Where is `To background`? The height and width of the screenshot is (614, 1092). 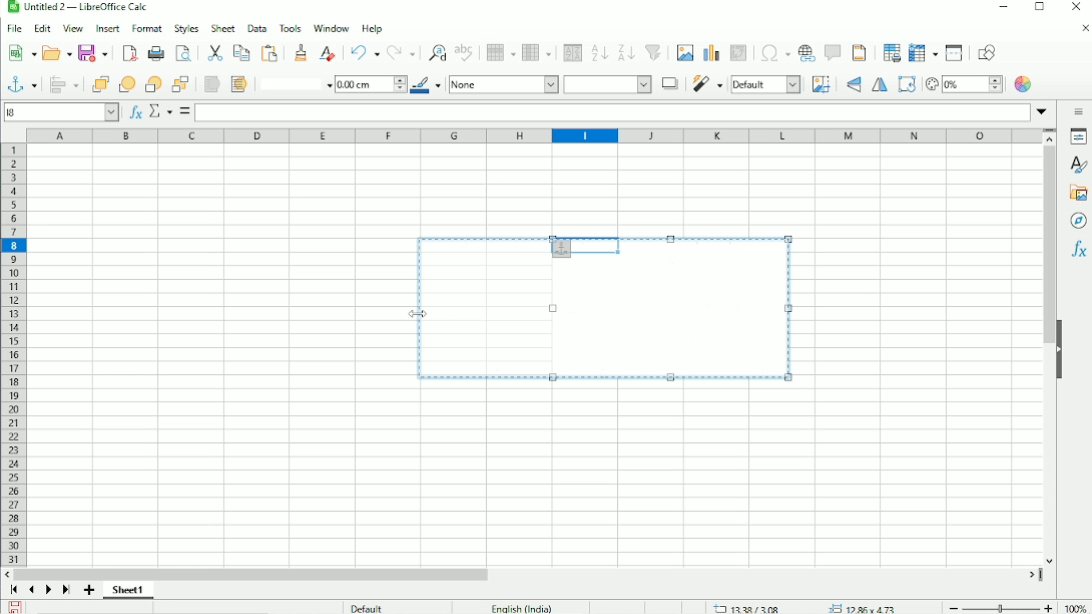
To background is located at coordinates (237, 84).